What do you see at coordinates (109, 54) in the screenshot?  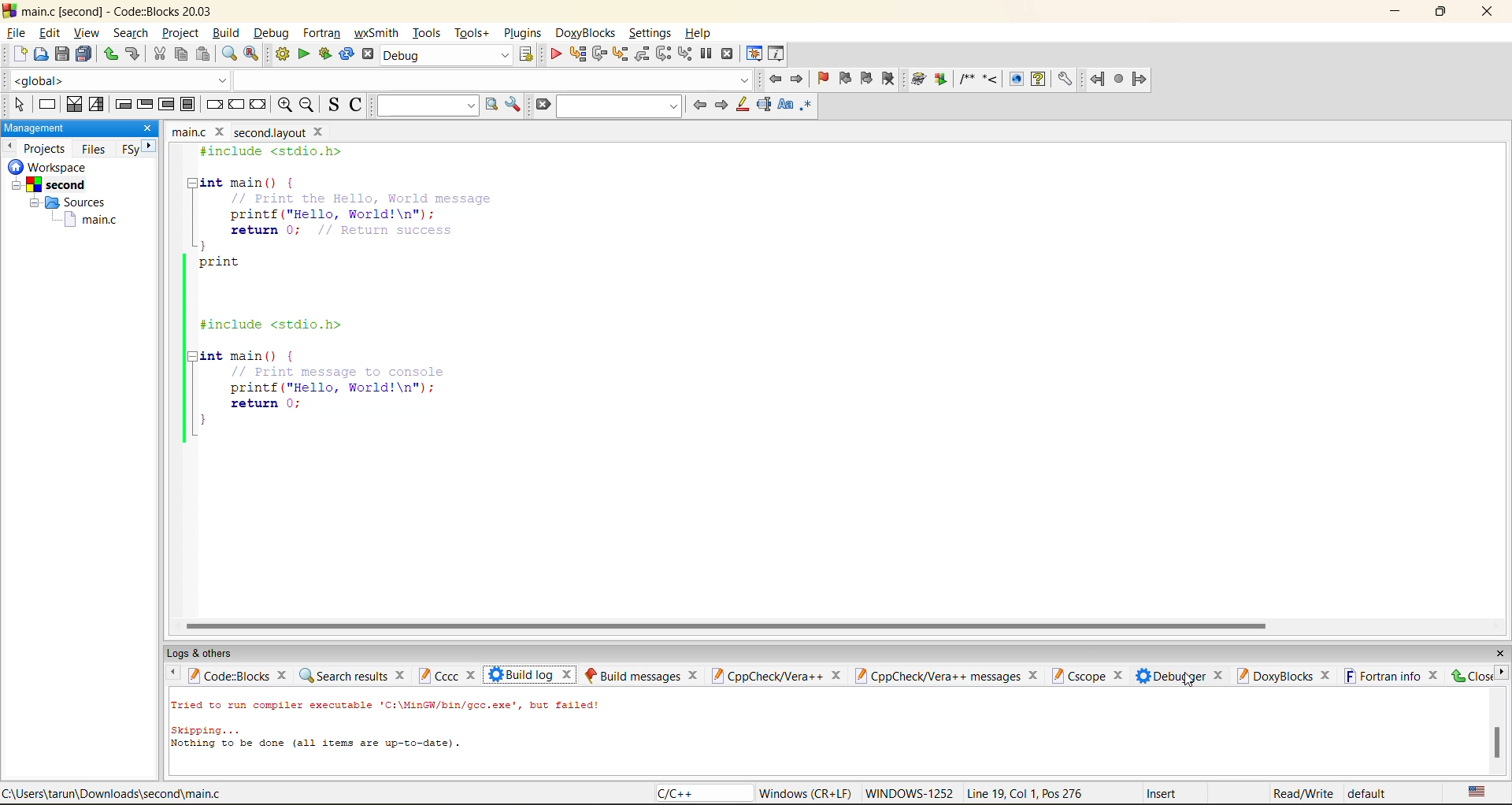 I see `undo` at bounding box center [109, 54].